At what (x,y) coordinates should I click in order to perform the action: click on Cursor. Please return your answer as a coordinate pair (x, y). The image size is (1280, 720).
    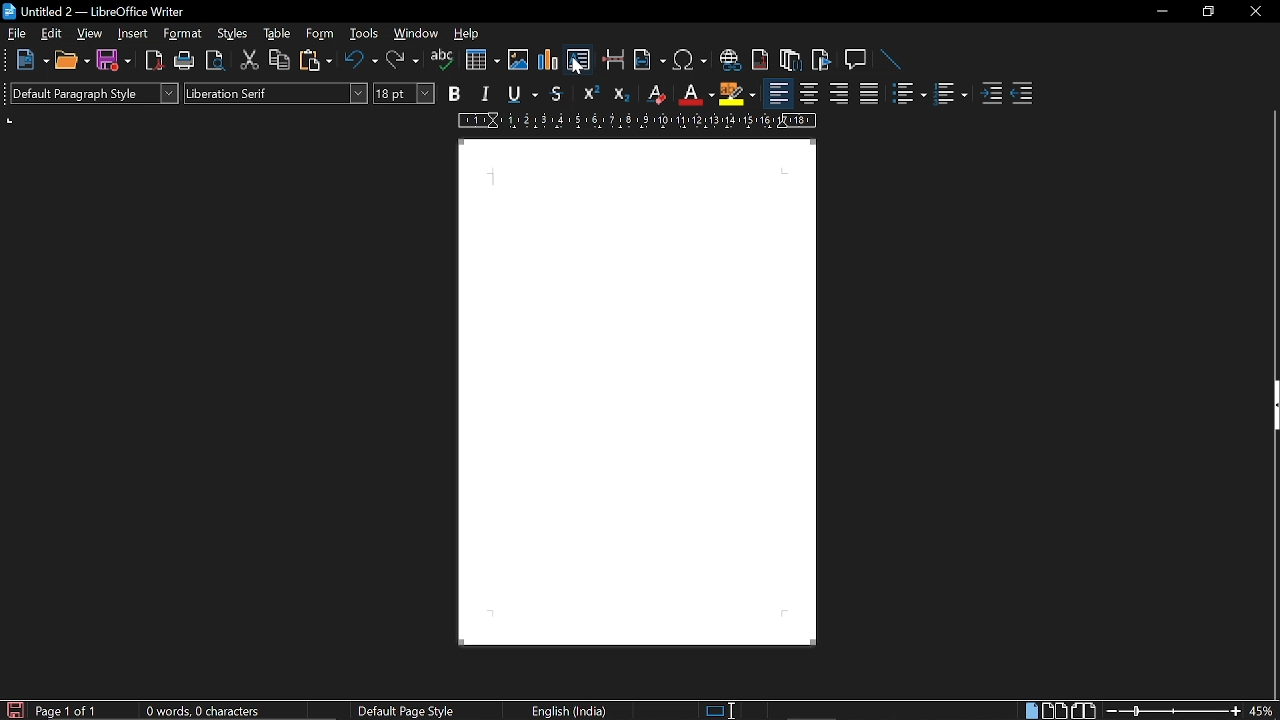
    Looking at the image, I should click on (577, 67).